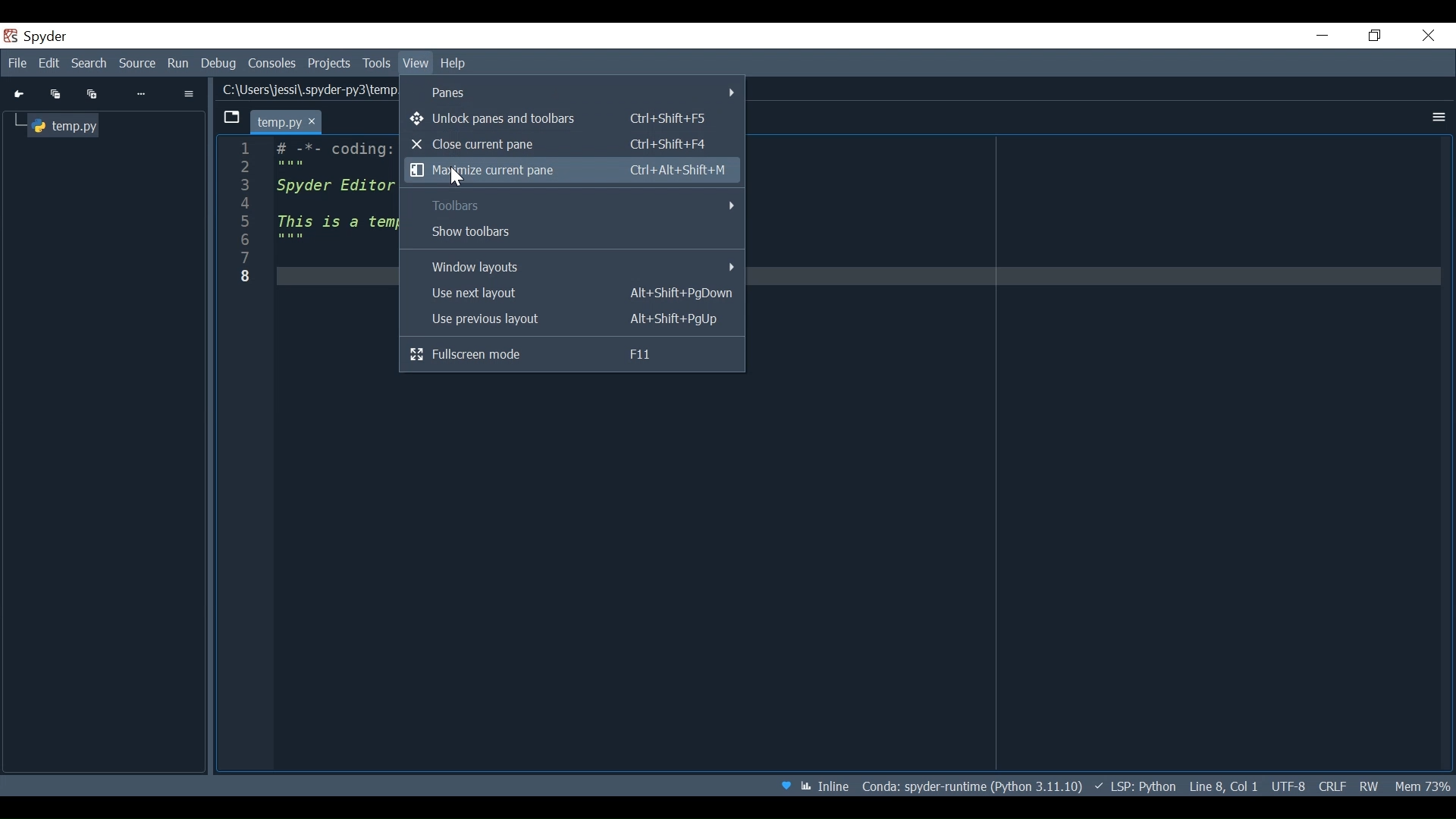 The height and width of the screenshot is (819, 1456). I want to click on Help, so click(457, 63).